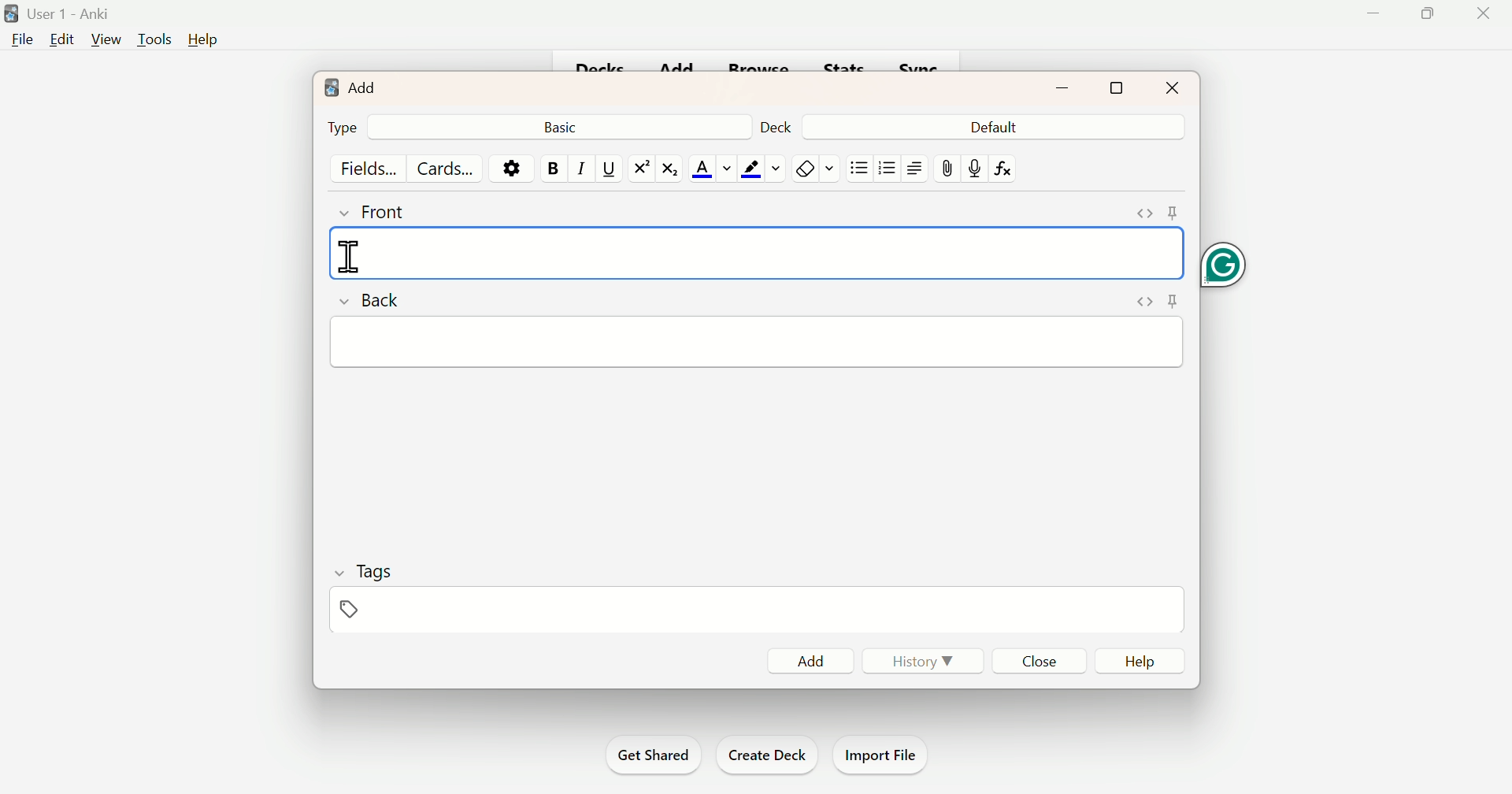 The width and height of the screenshot is (1512, 794). What do you see at coordinates (638, 169) in the screenshot?
I see `Superscript` at bounding box center [638, 169].